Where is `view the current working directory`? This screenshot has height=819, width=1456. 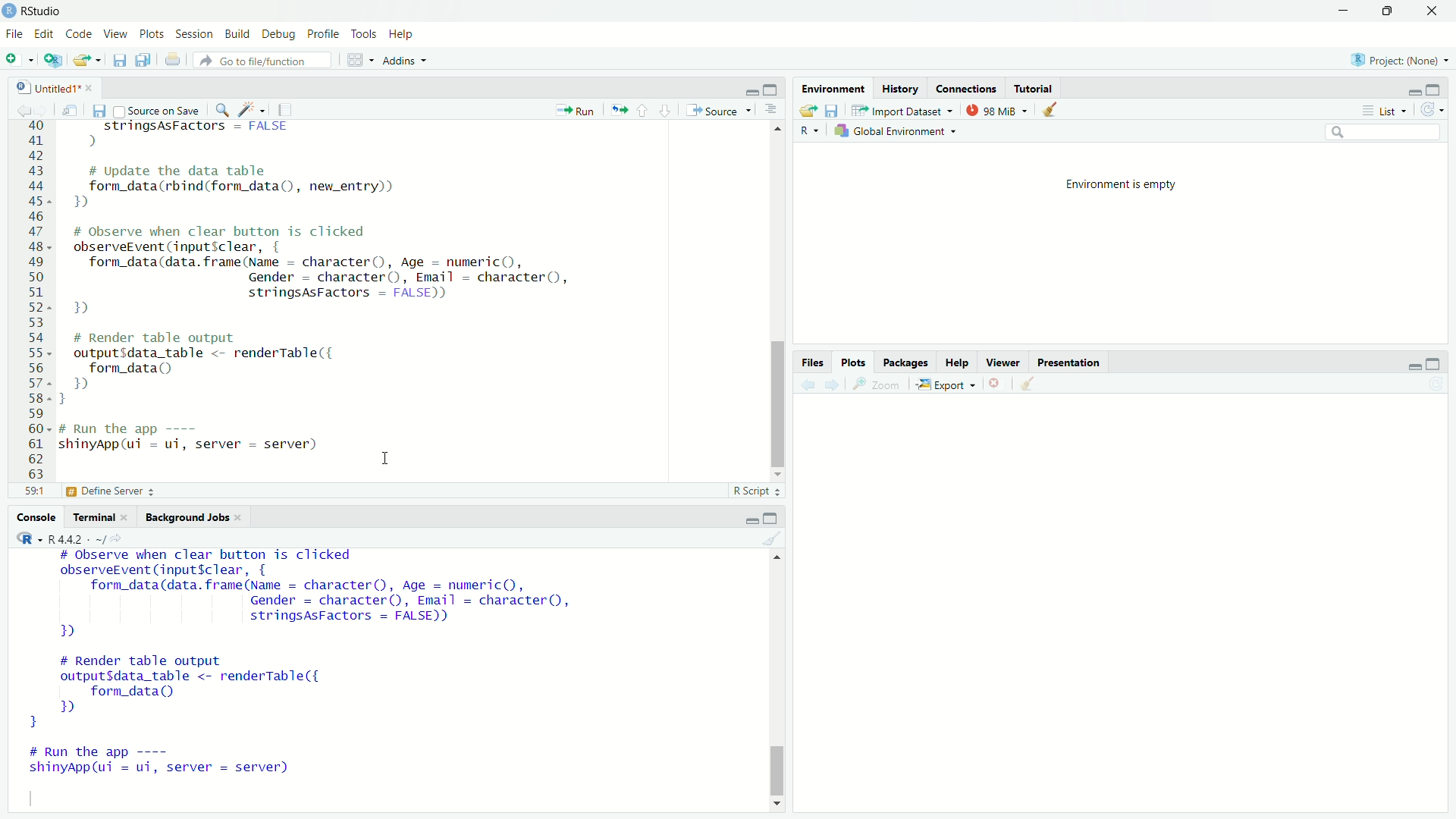
view the current working directory is located at coordinates (121, 538).